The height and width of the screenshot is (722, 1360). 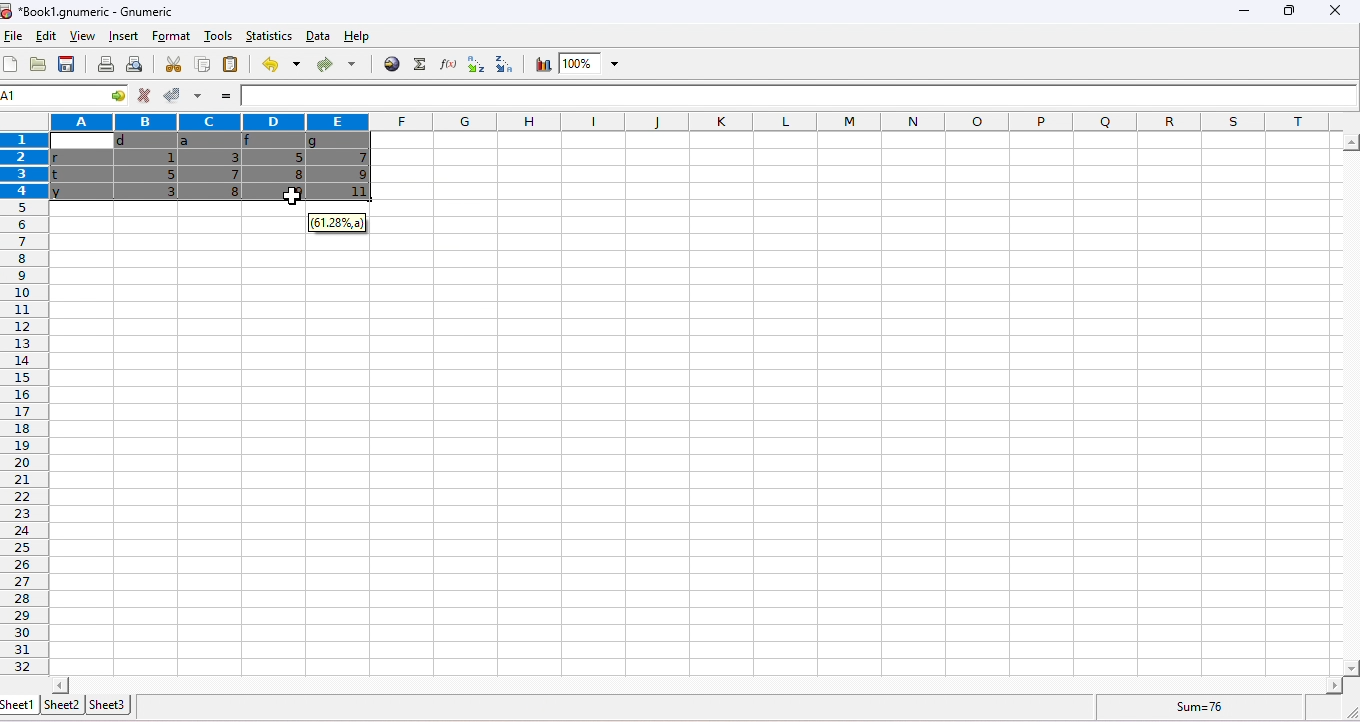 I want to click on accept changes, so click(x=168, y=94).